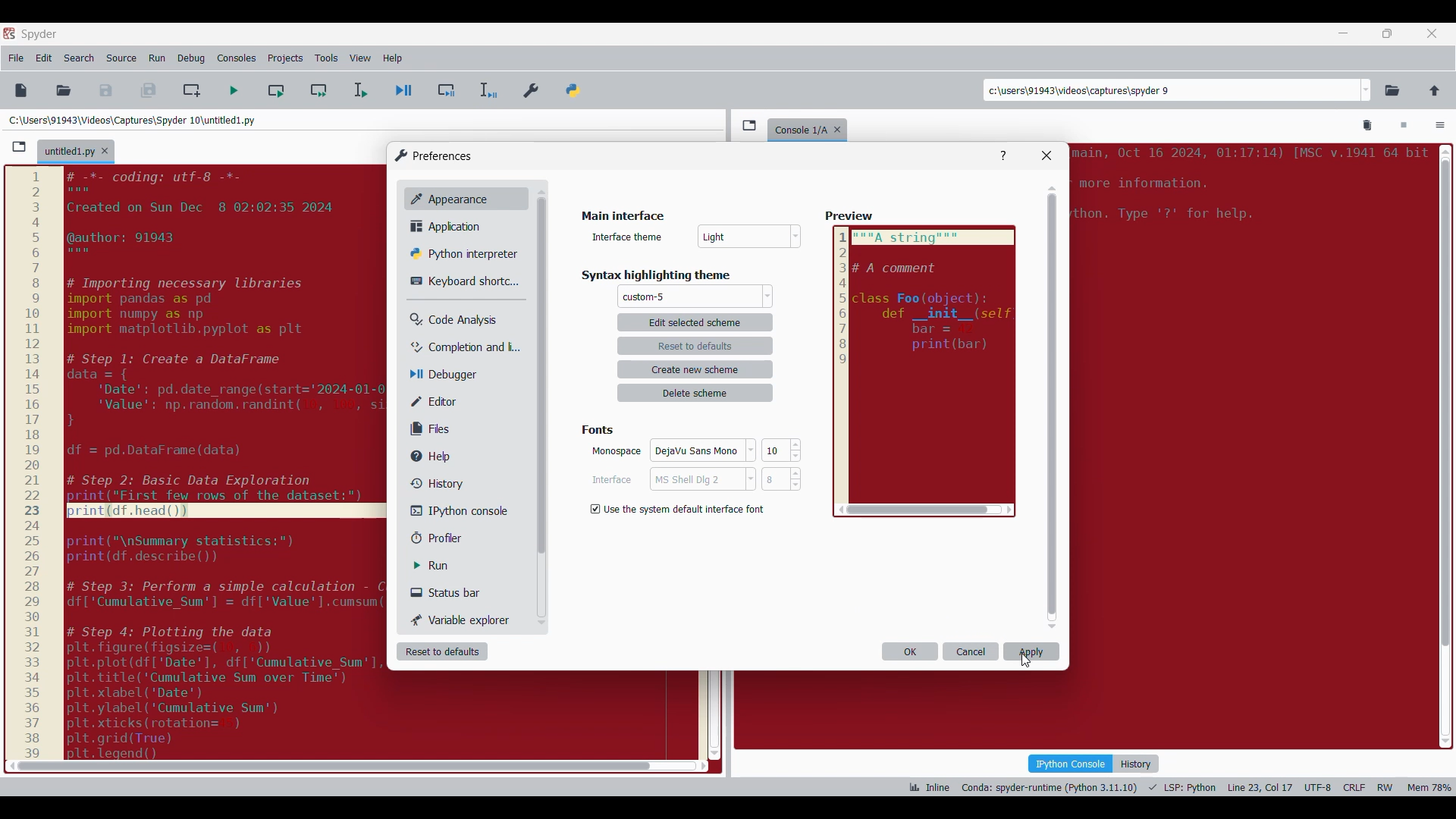 Image resolution: width=1456 pixels, height=819 pixels. Describe the element at coordinates (798, 128) in the screenshot. I see `console` at that location.